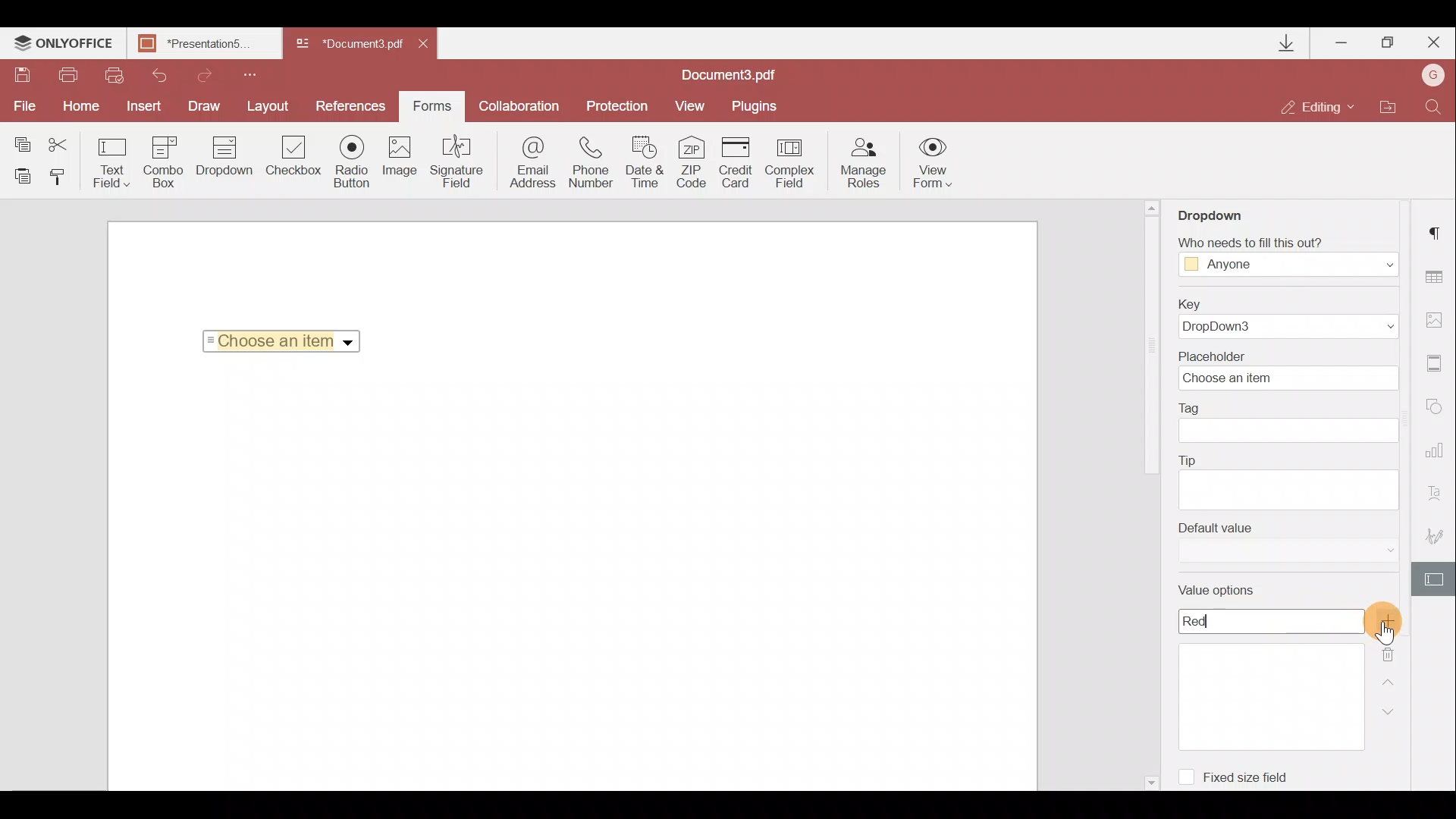  Describe the element at coordinates (695, 106) in the screenshot. I see `View` at that location.